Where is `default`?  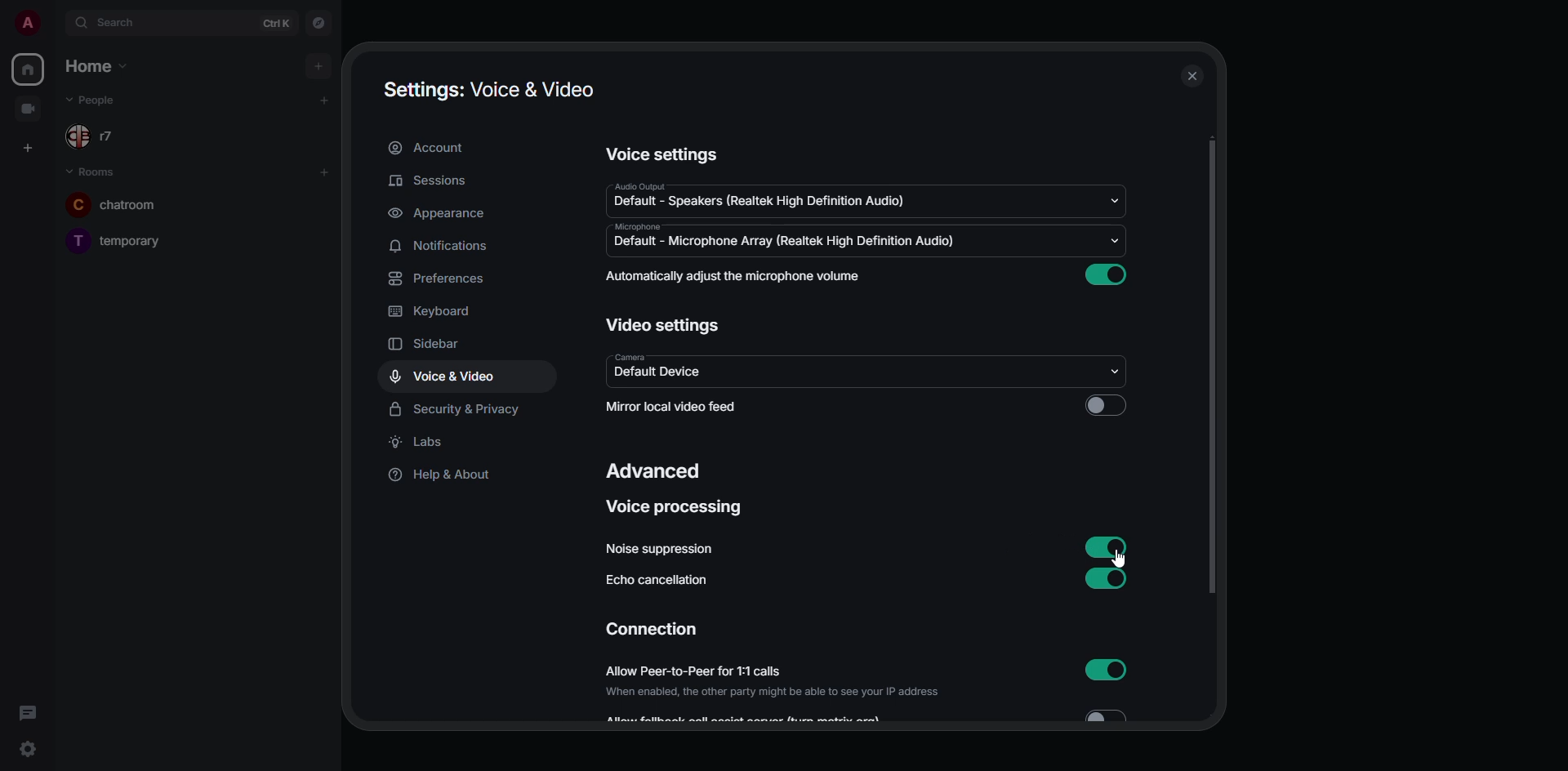
default is located at coordinates (785, 243).